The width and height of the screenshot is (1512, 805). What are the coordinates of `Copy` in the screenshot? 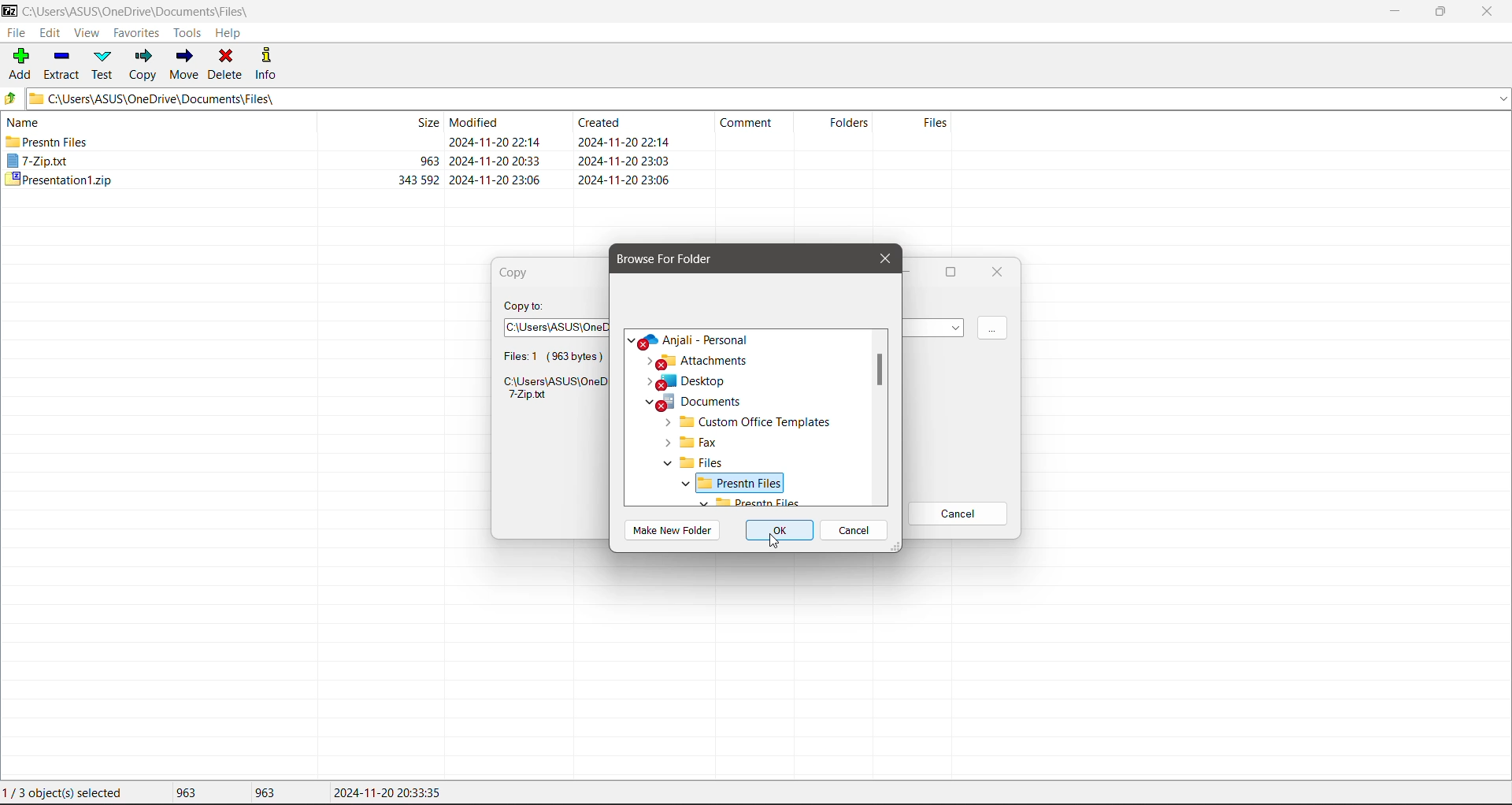 It's located at (143, 64).